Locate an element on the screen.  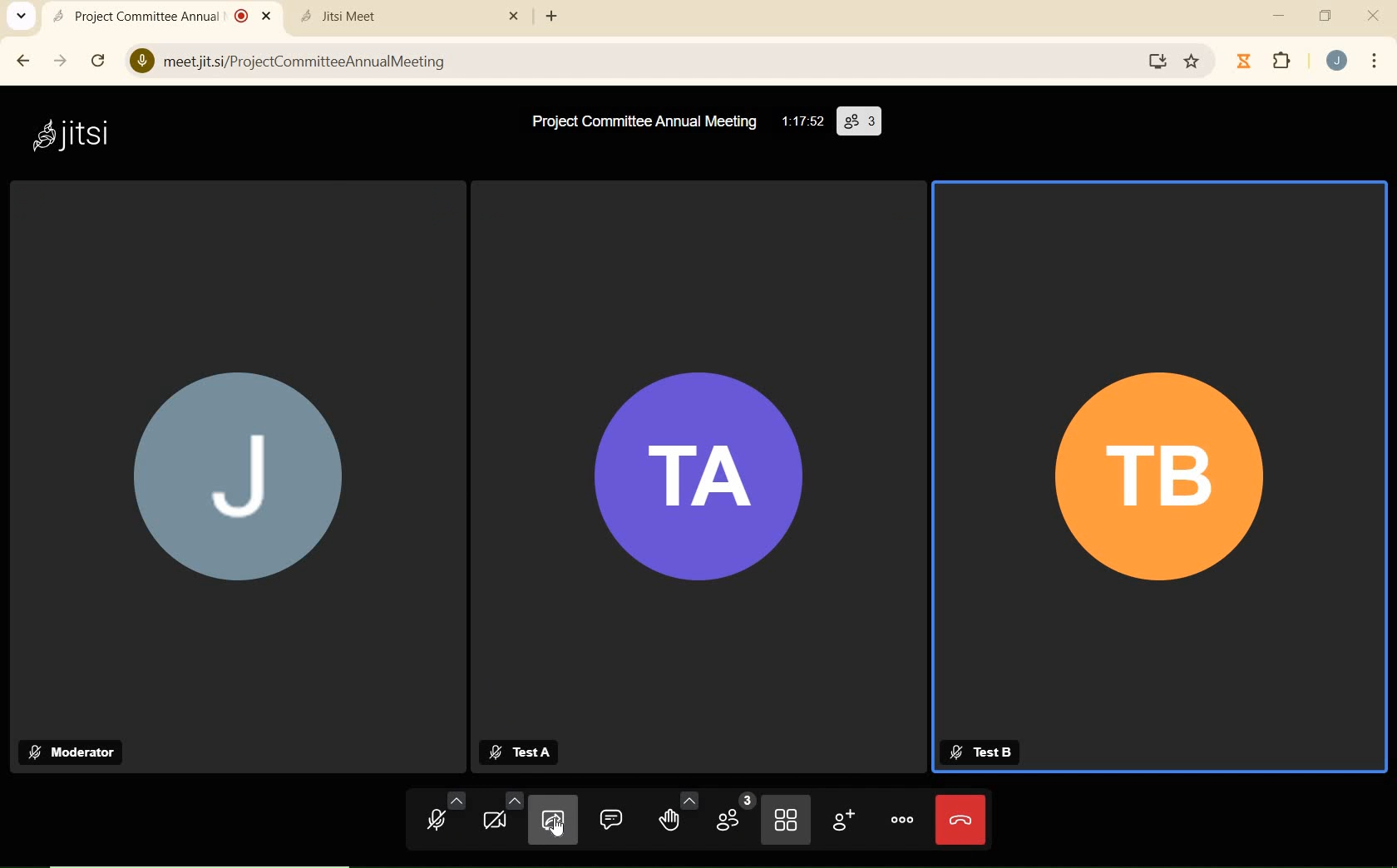
jitsi is located at coordinates (78, 133).